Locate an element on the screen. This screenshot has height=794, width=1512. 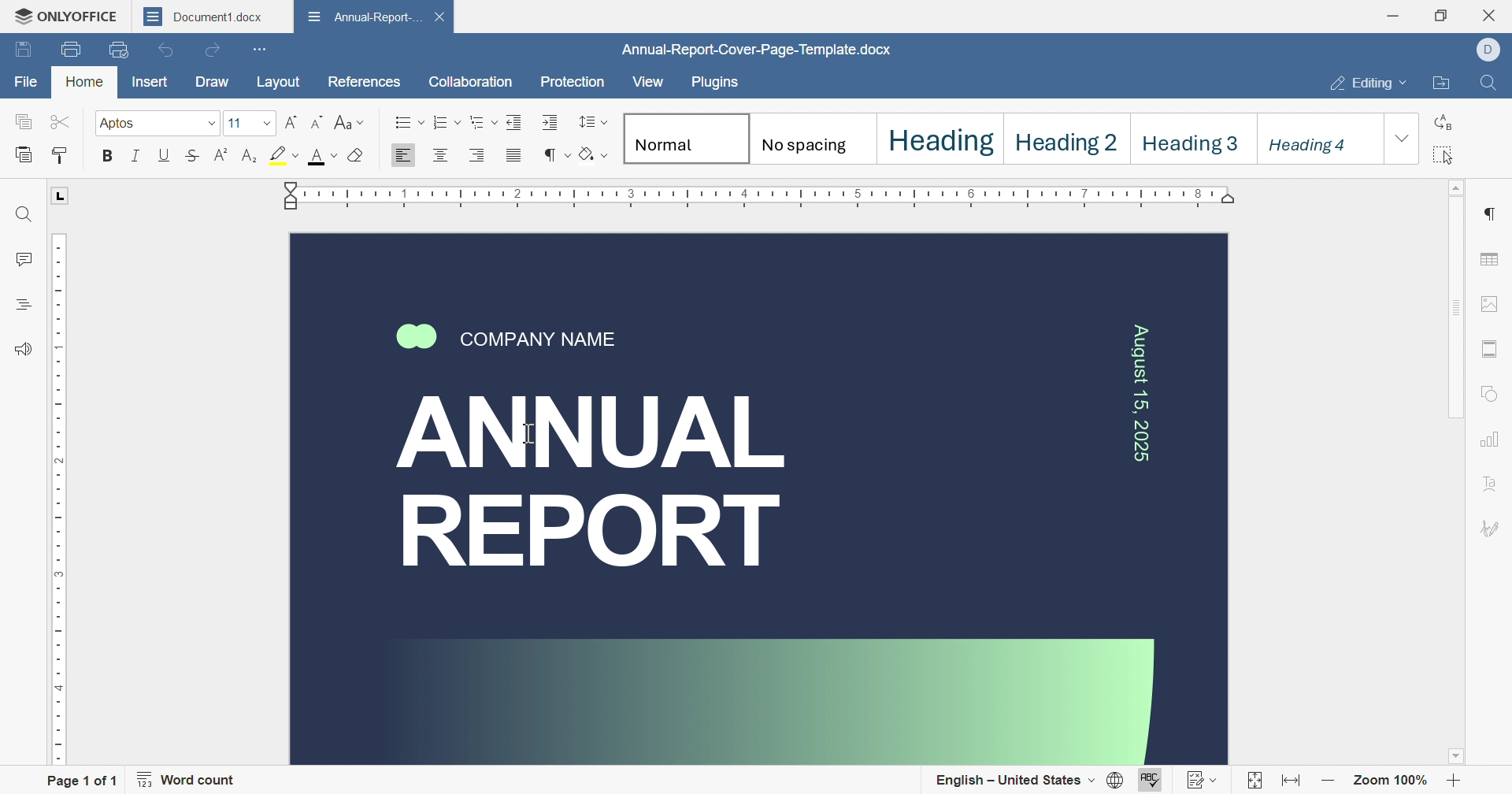
restore down is located at coordinates (1443, 13).